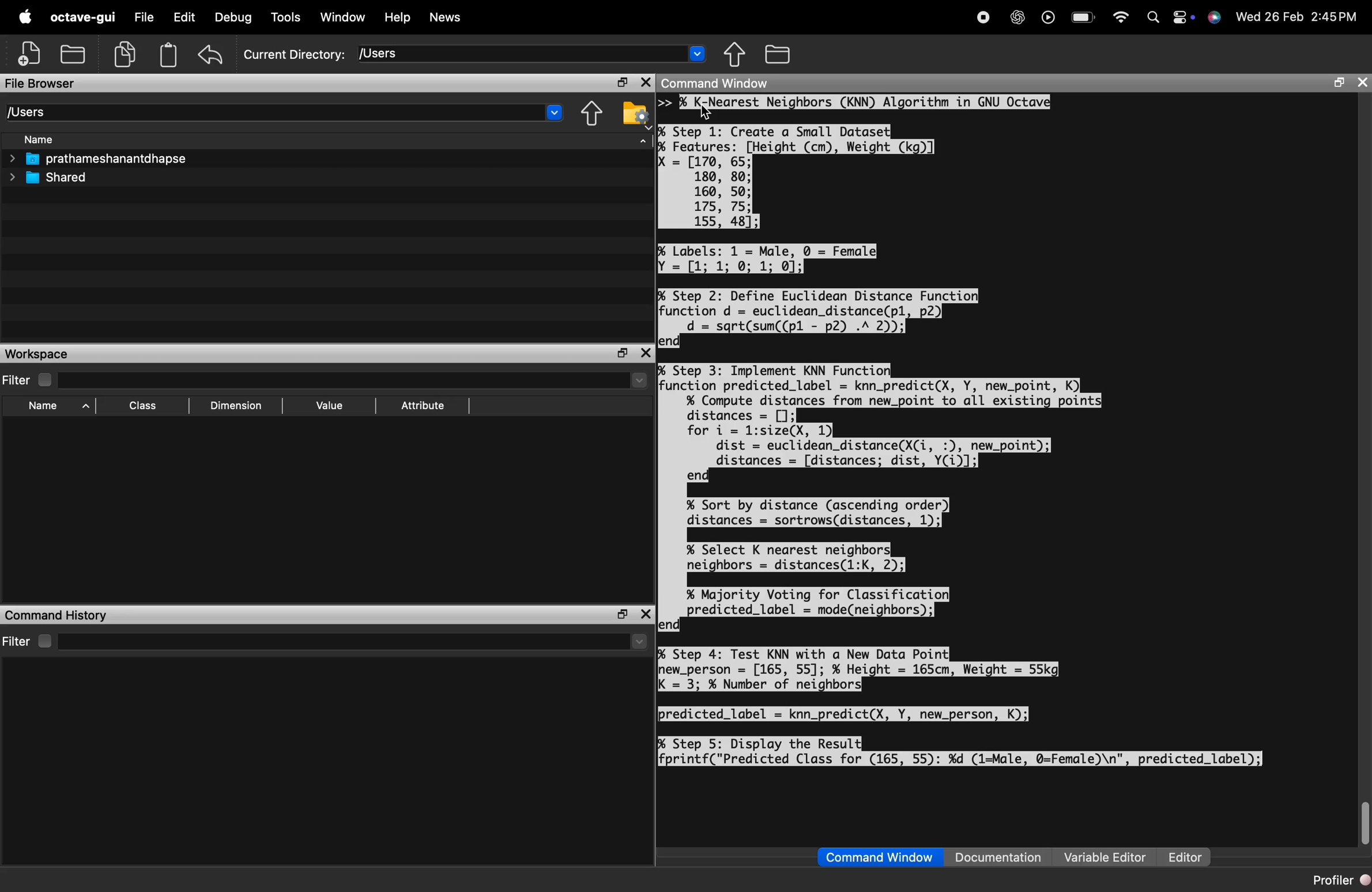  Describe the element at coordinates (767, 84) in the screenshot. I see `Command Window` at that location.